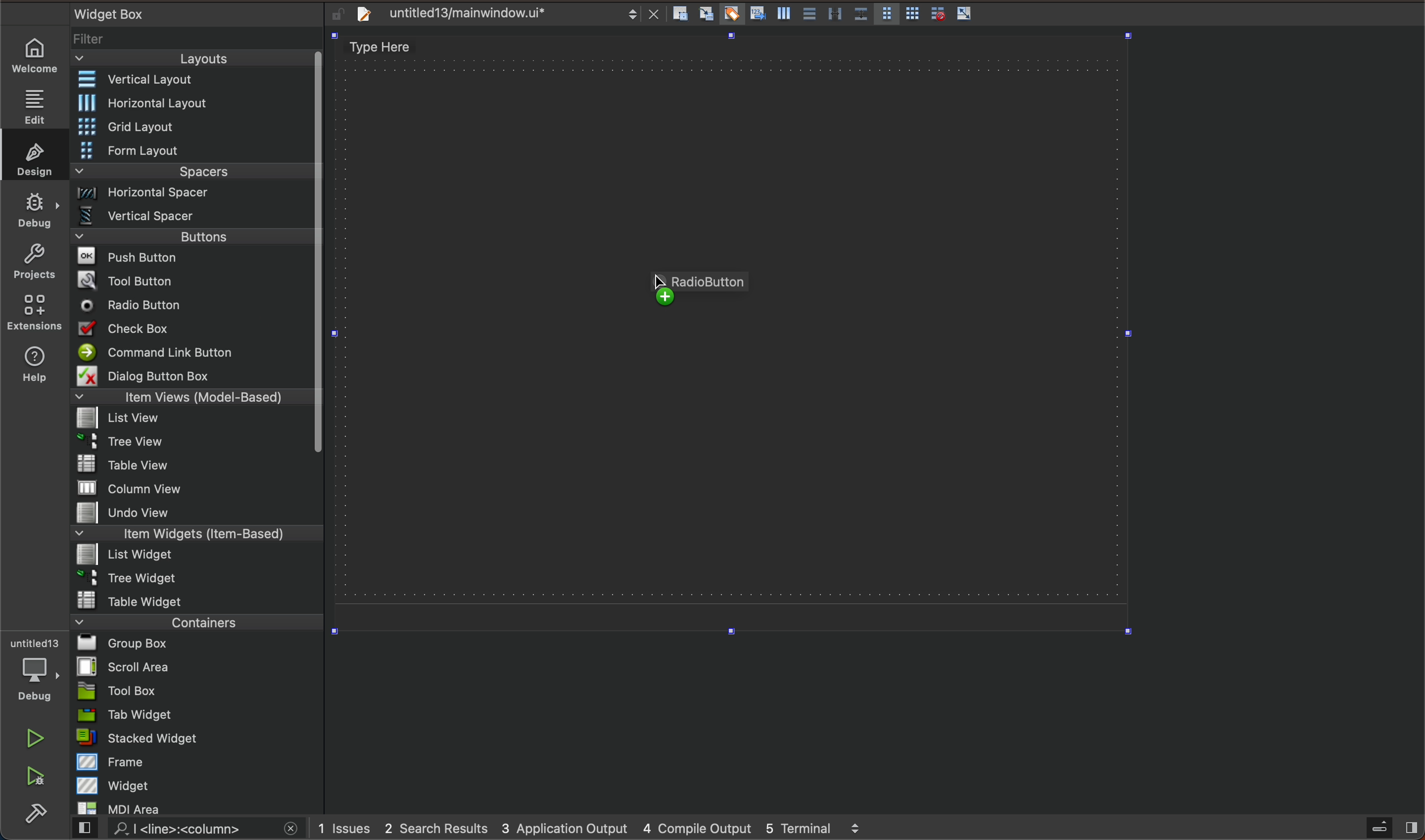  I want to click on , so click(193, 556).